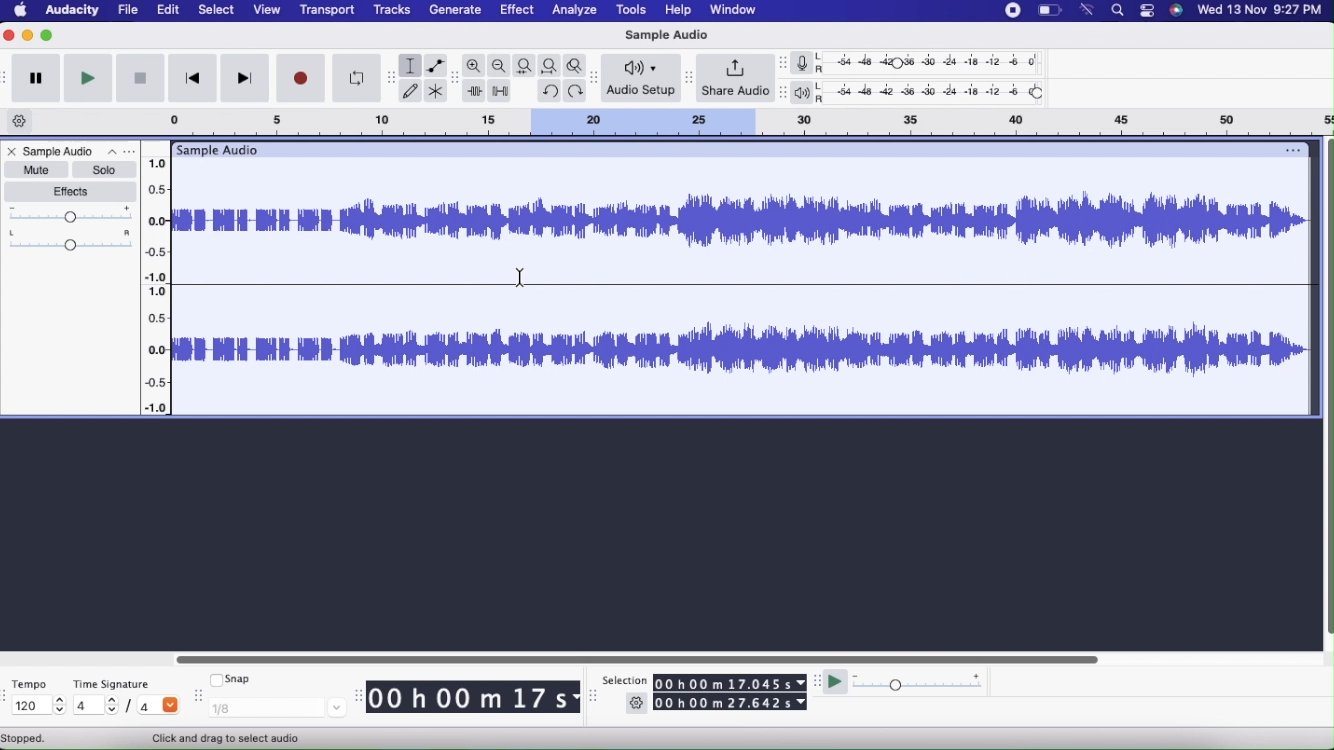 The width and height of the screenshot is (1334, 750). Describe the element at coordinates (10, 36) in the screenshot. I see `Close` at that location.